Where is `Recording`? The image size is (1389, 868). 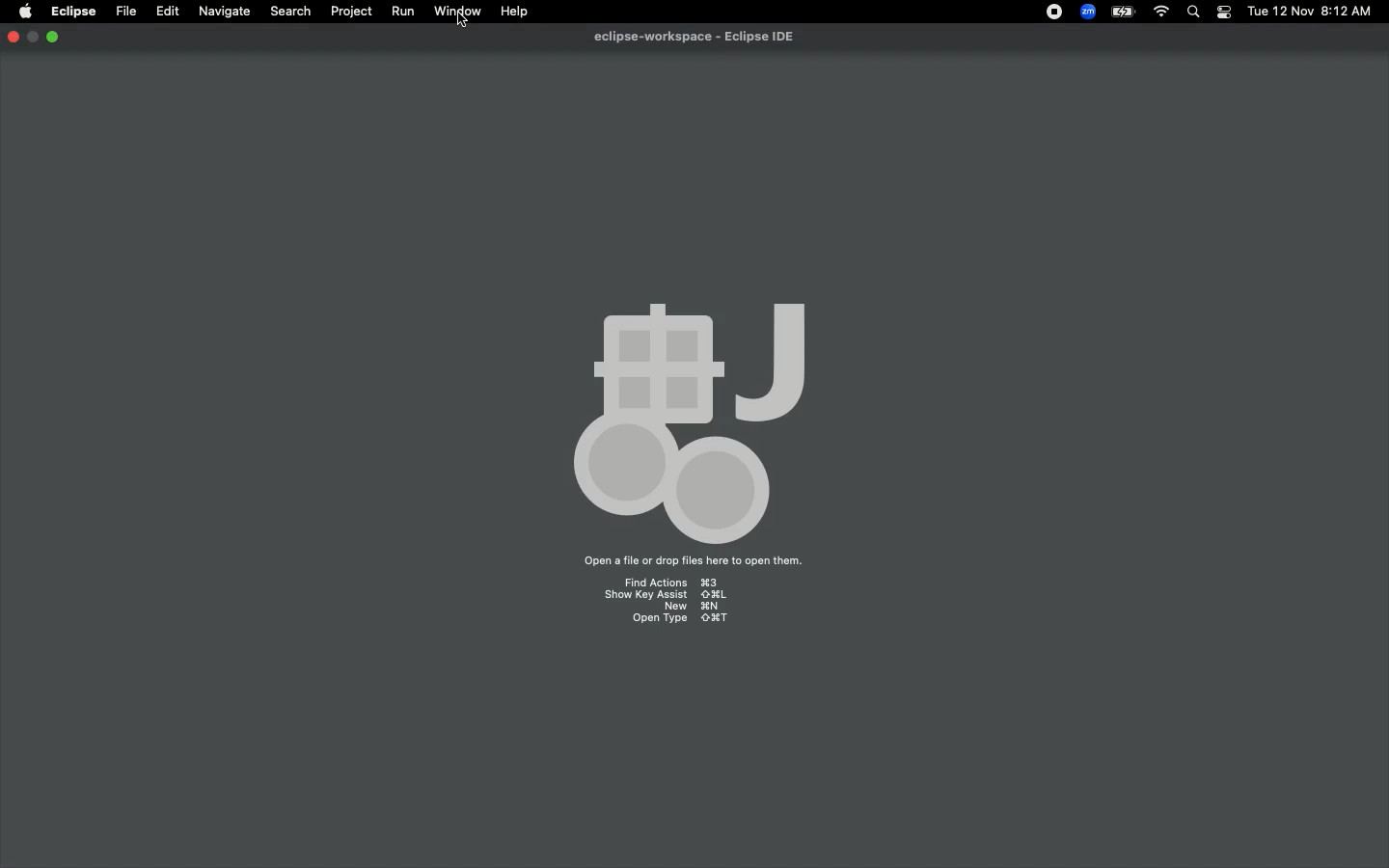
Recording is located at coordinates (1049, 12).